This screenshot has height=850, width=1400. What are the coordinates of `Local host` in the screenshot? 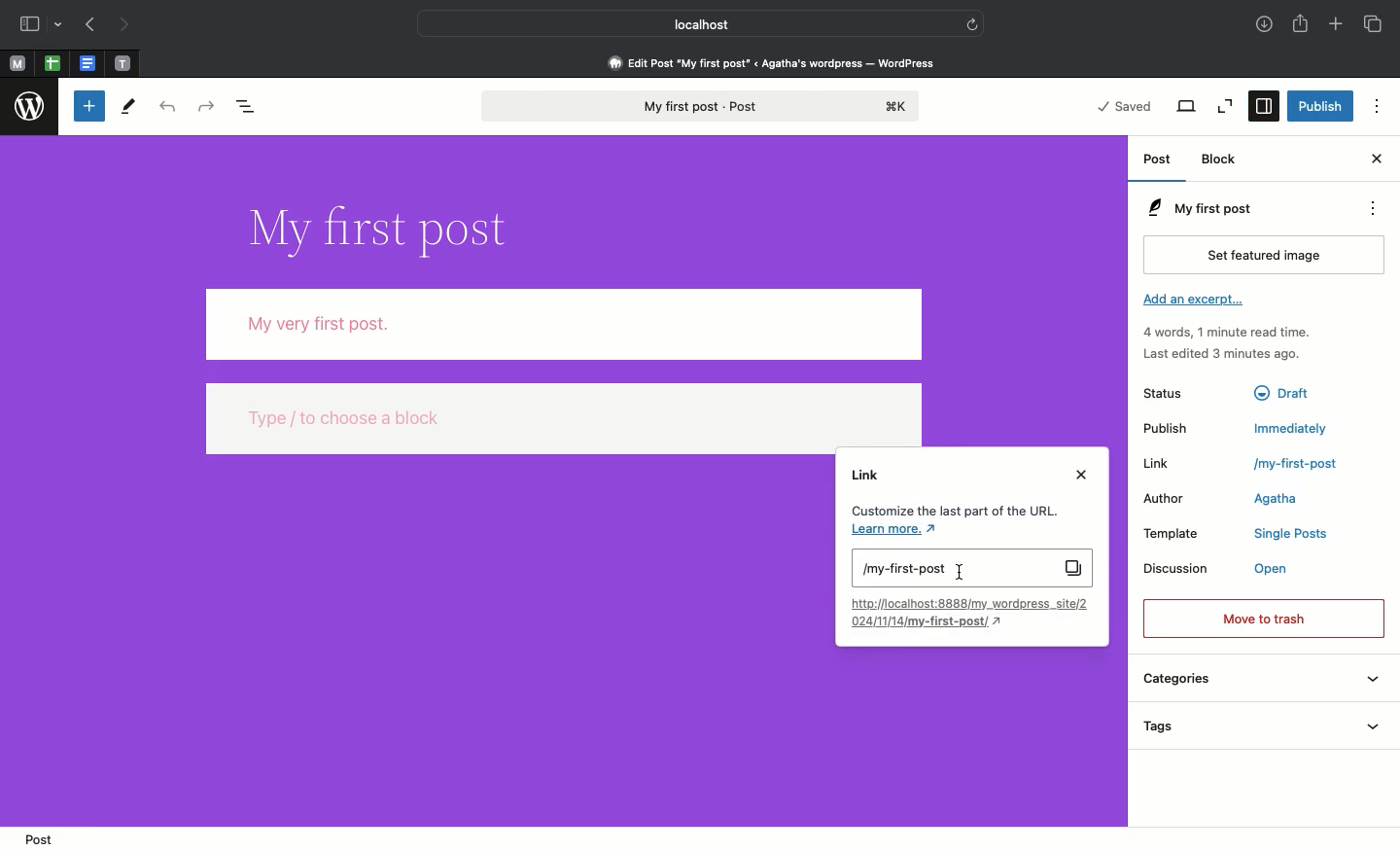 It's located at (686, 21).